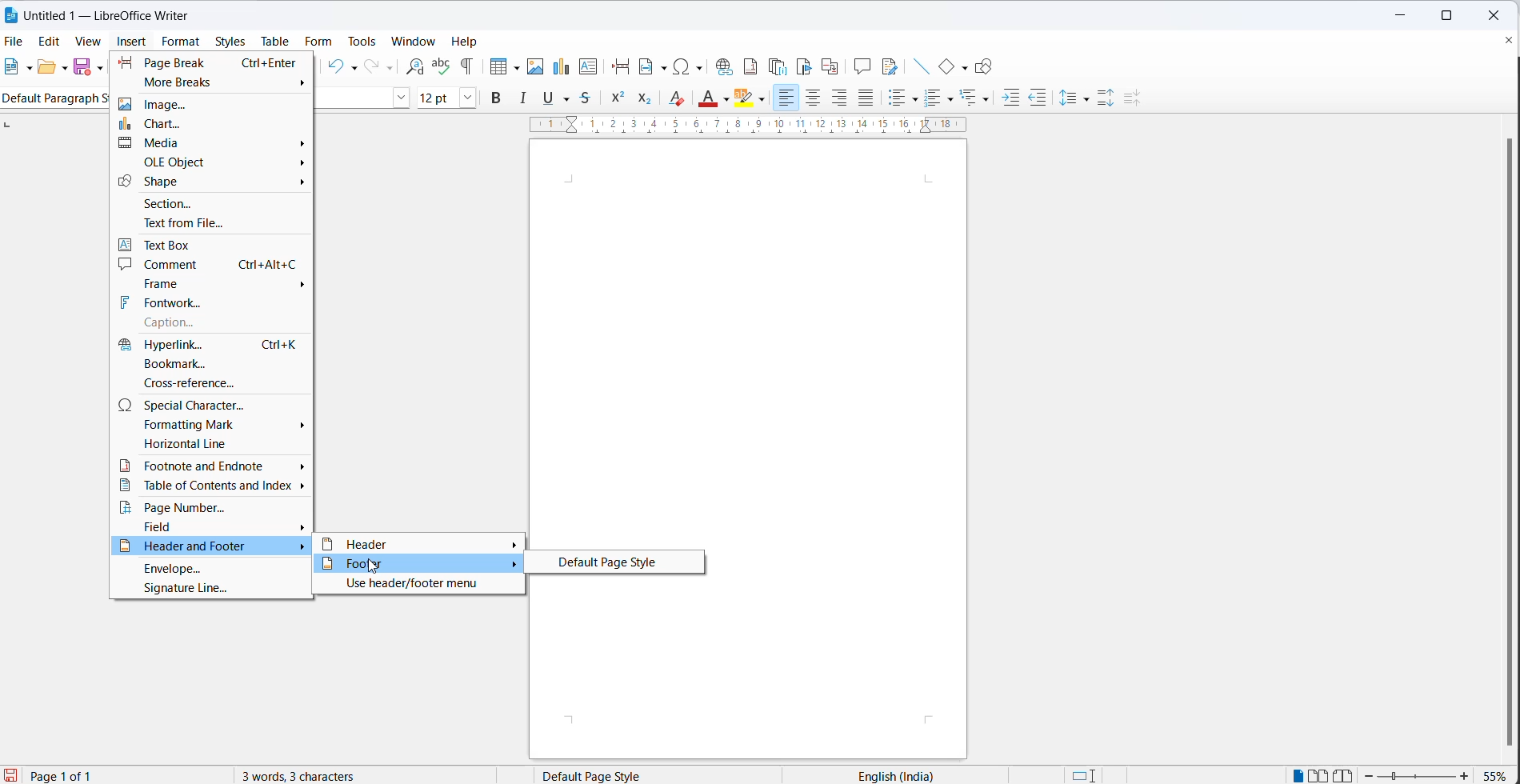  Describe the element at coordinates (812, 99) in the screenshot. I see `text align center` at that location.